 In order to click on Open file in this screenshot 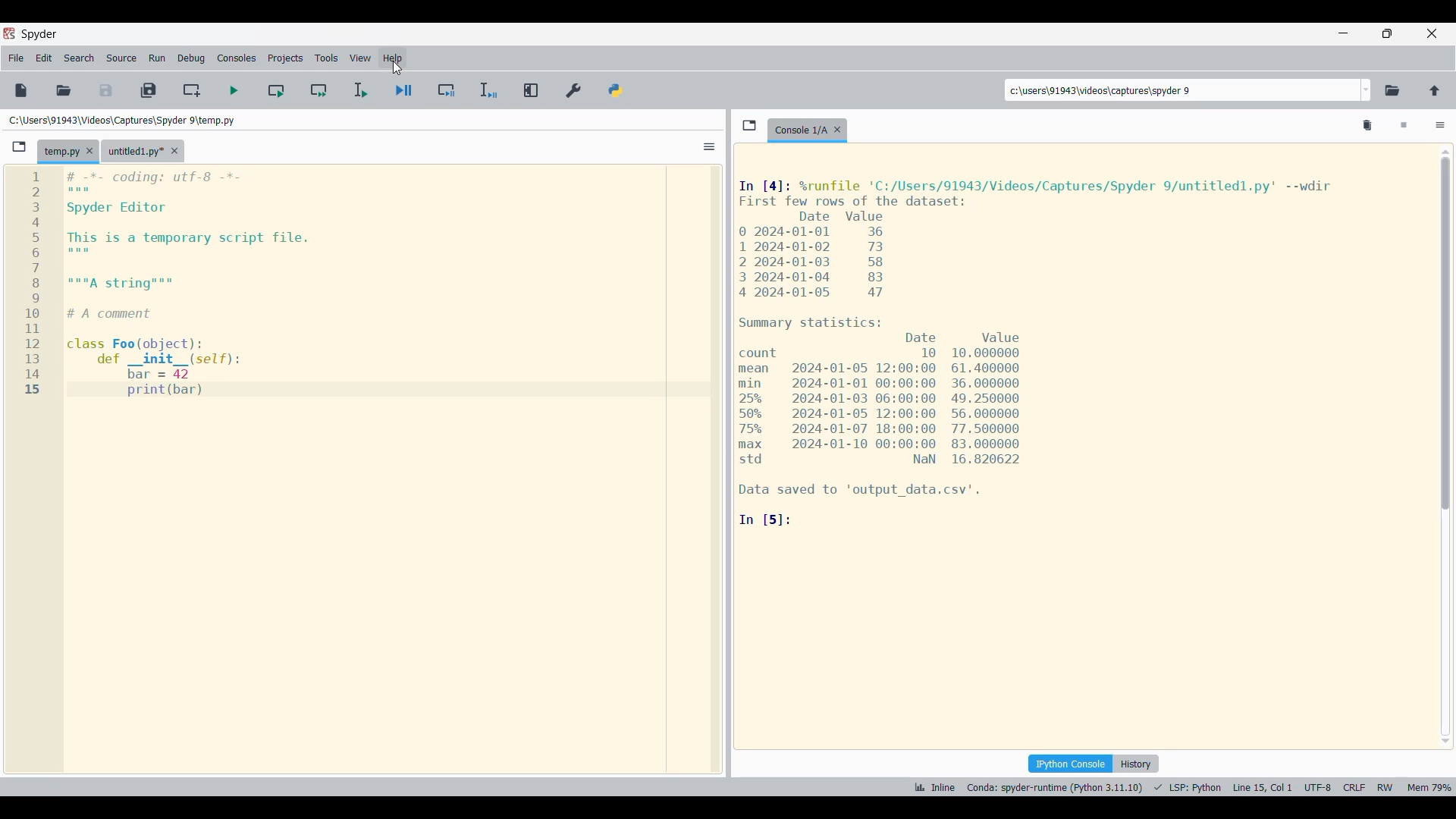, I will do `click(64, 90)`.